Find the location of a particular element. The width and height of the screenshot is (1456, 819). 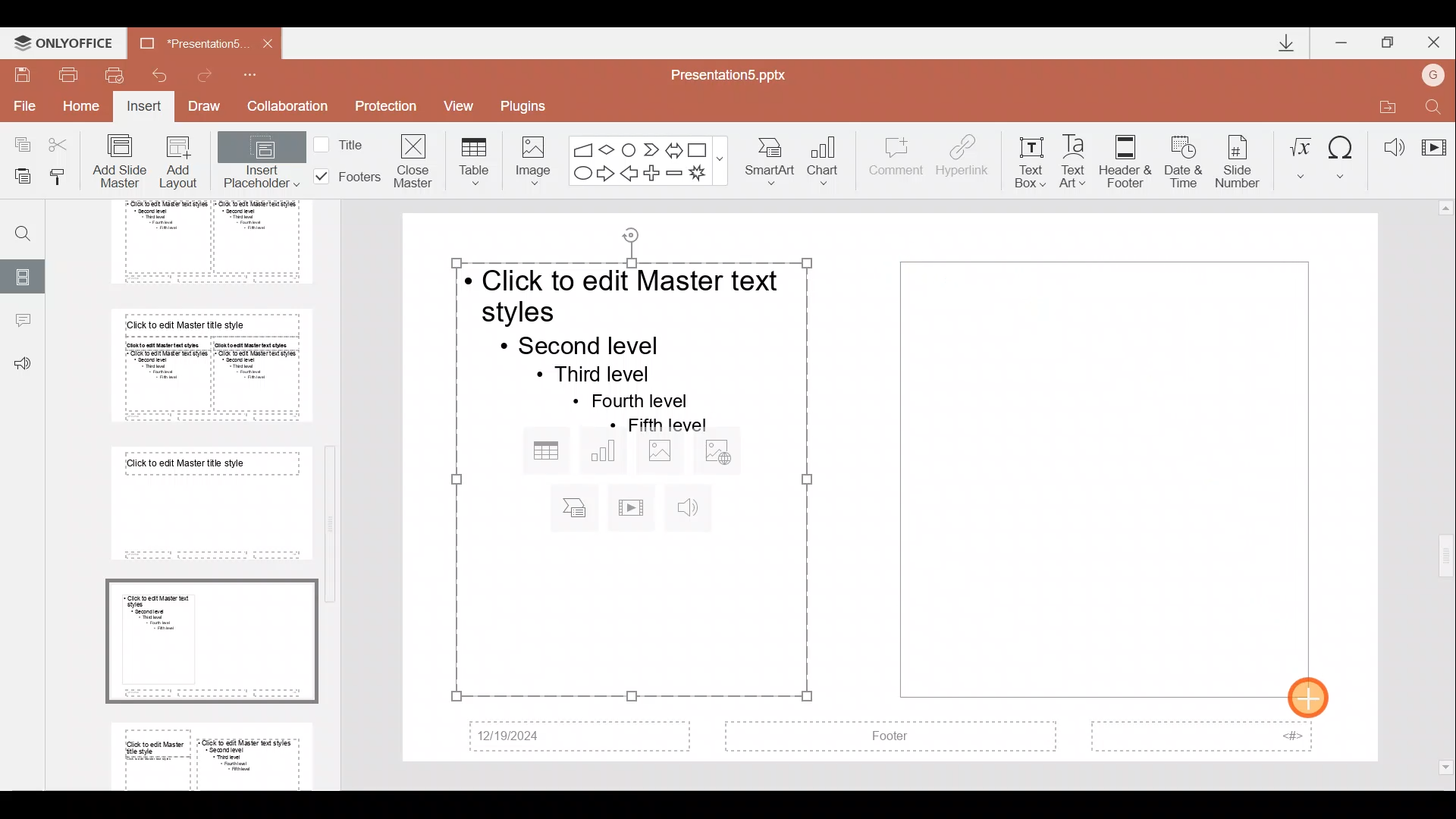

Print file is located at coordinates (69, 74).